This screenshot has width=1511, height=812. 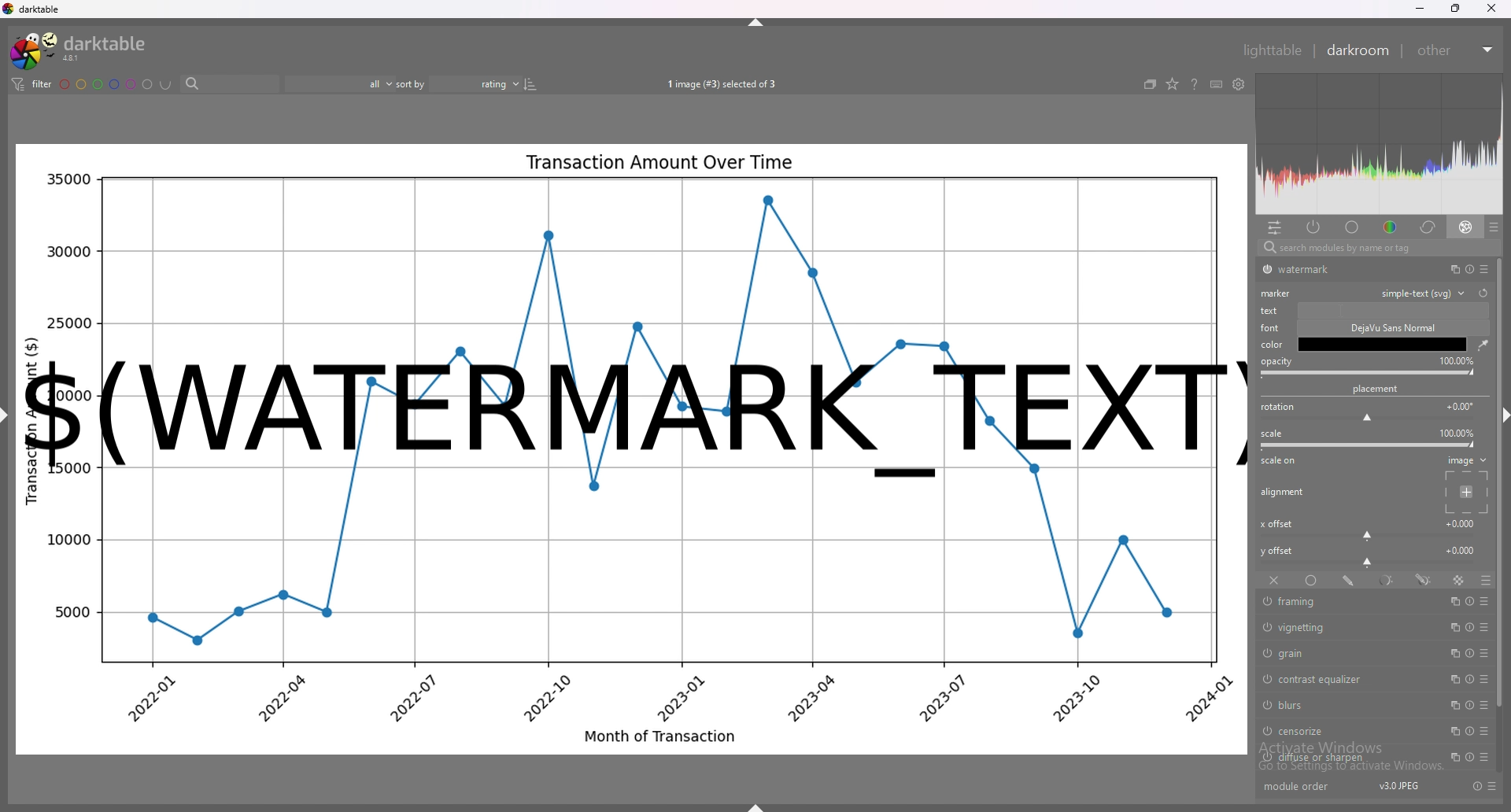 I want to click on active modules, so click(x=1315, y=228).